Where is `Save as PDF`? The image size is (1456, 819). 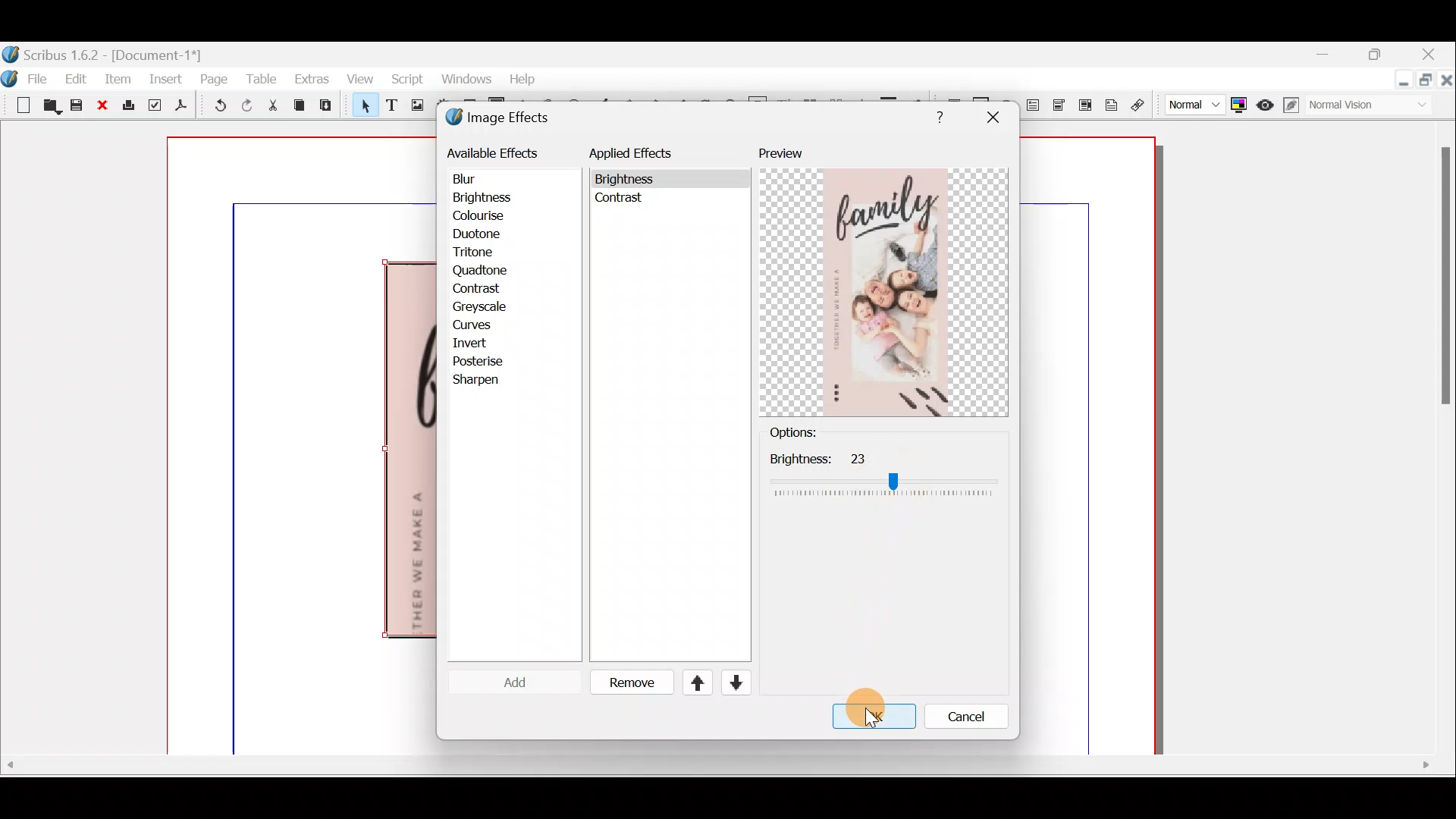 Save as PDF is located at coordinates (179, 108).